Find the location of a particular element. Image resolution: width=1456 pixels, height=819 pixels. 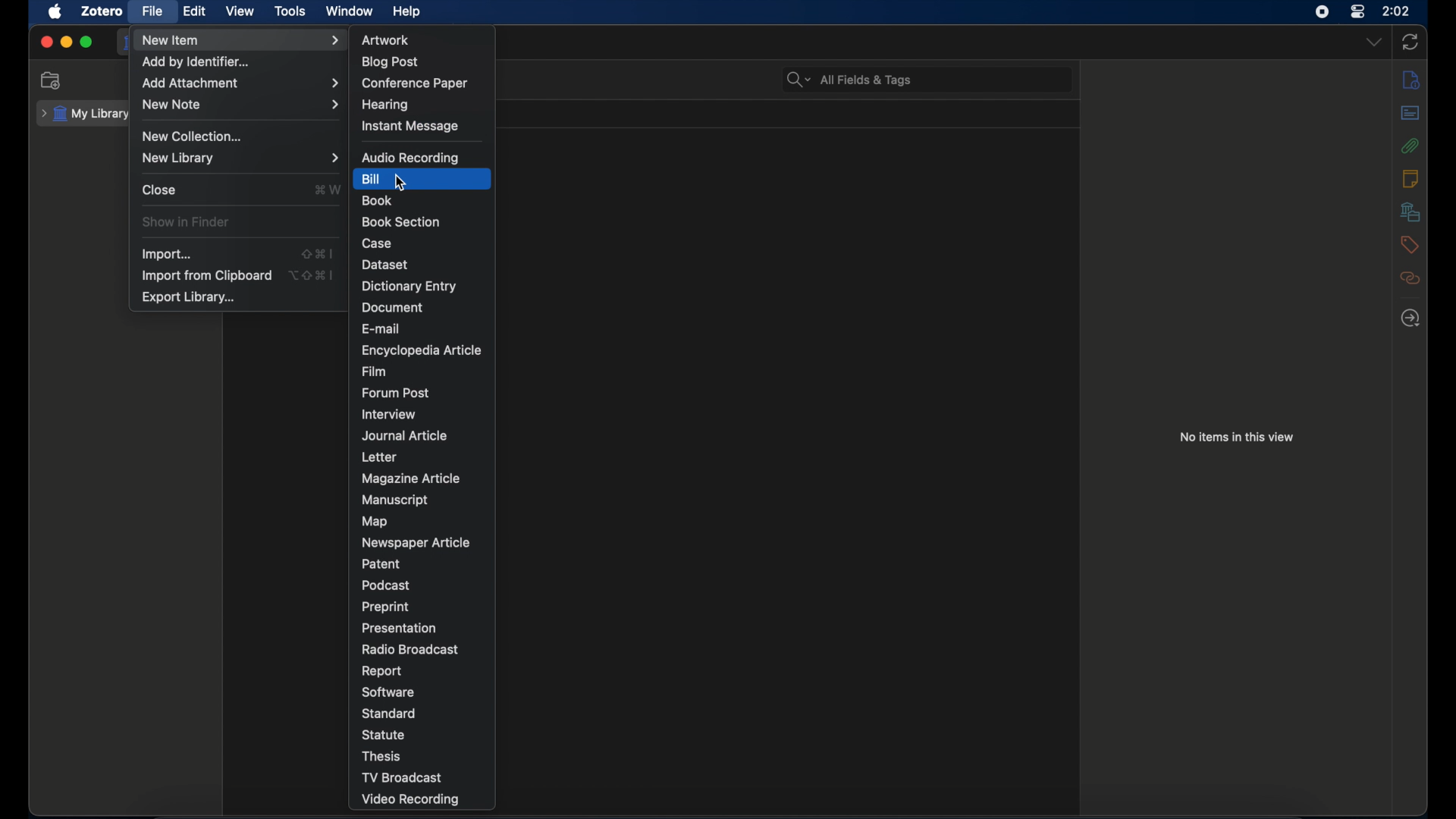

interview is located at coordinates (388, 414).